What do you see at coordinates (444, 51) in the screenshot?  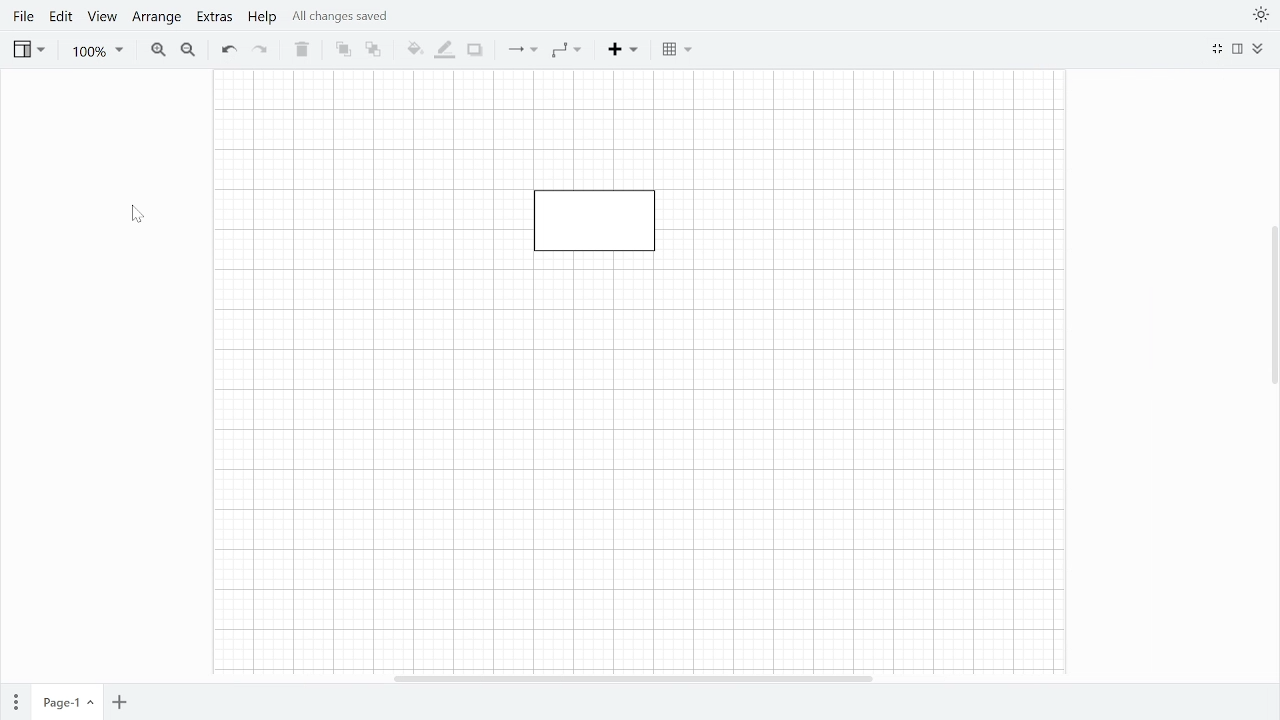 I see `Fill line` at bounding box center [444, 51].